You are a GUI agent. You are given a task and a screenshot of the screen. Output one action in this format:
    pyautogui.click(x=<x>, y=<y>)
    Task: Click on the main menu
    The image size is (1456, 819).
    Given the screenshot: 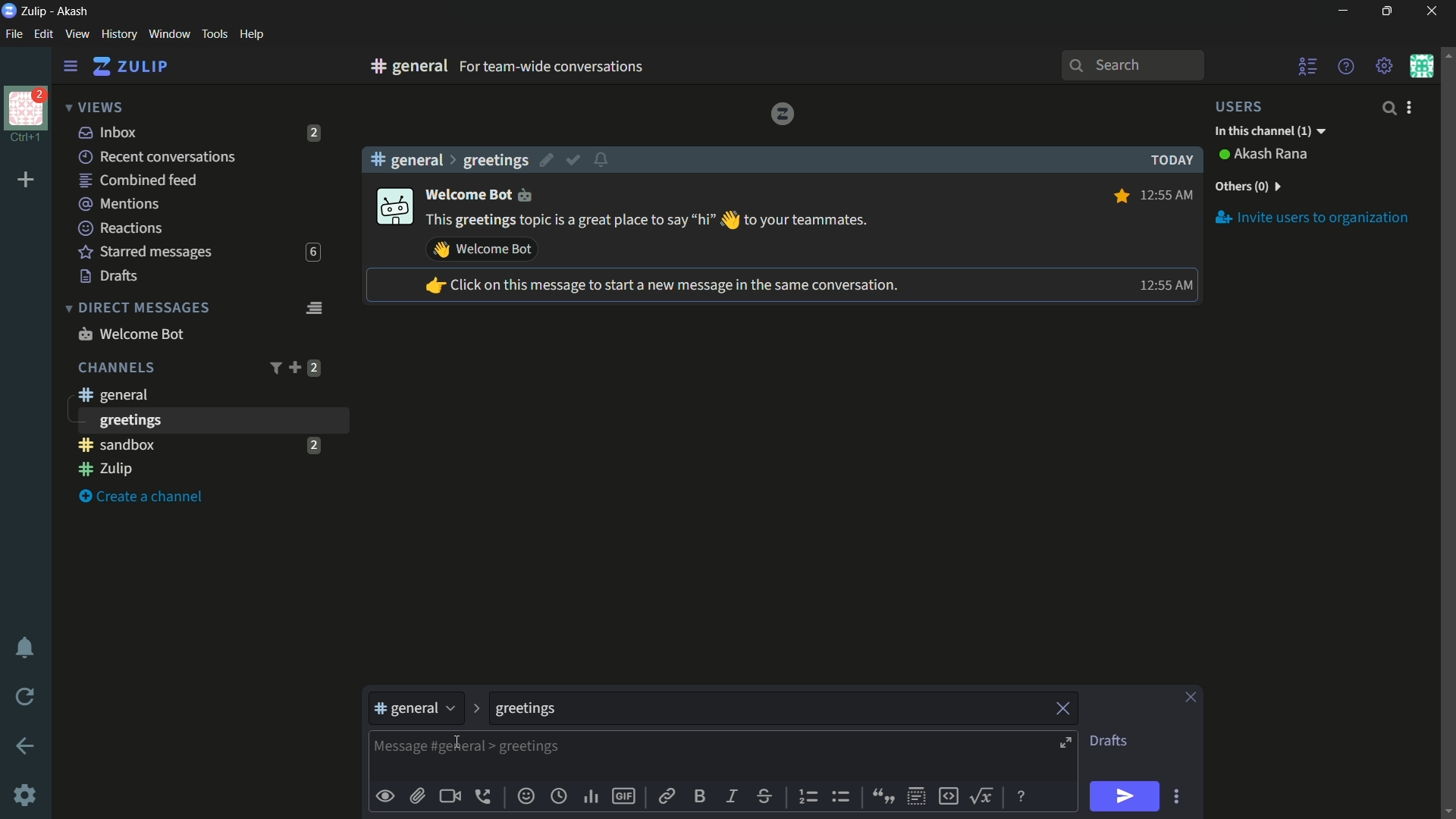 What is the action you would take?
    pyautogui.click(x=1385, y=66)
    